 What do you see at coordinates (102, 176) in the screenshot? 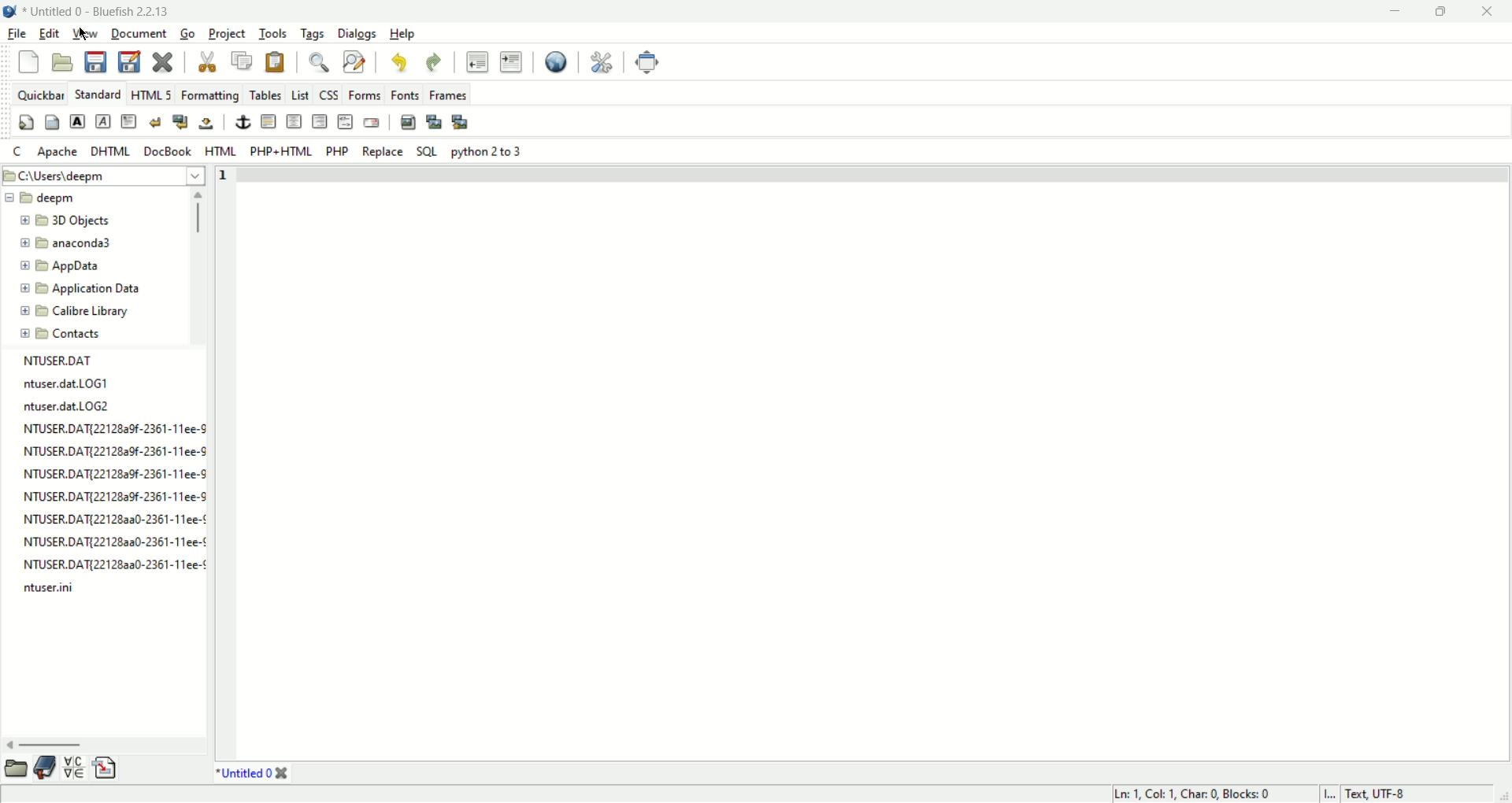
I see `location` at bounding box center [102, 176].